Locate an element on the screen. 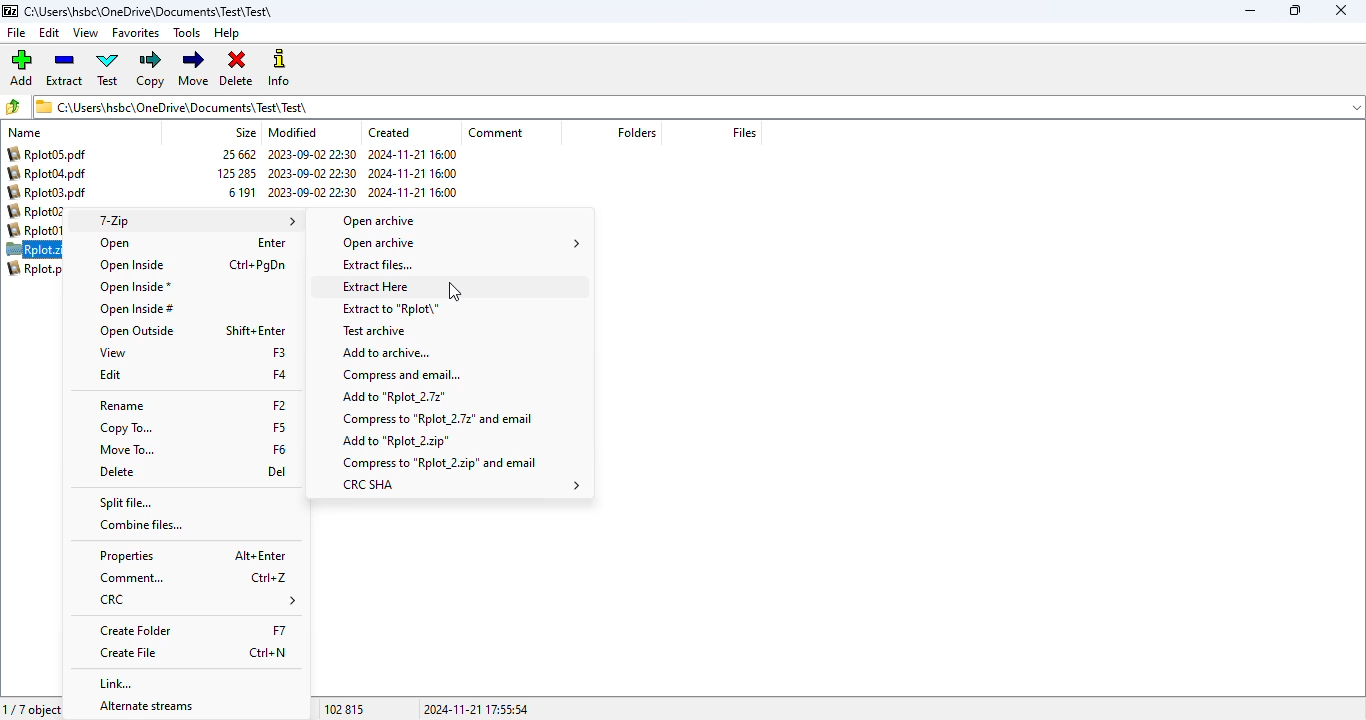  folders is located at coordinates (636, 132).